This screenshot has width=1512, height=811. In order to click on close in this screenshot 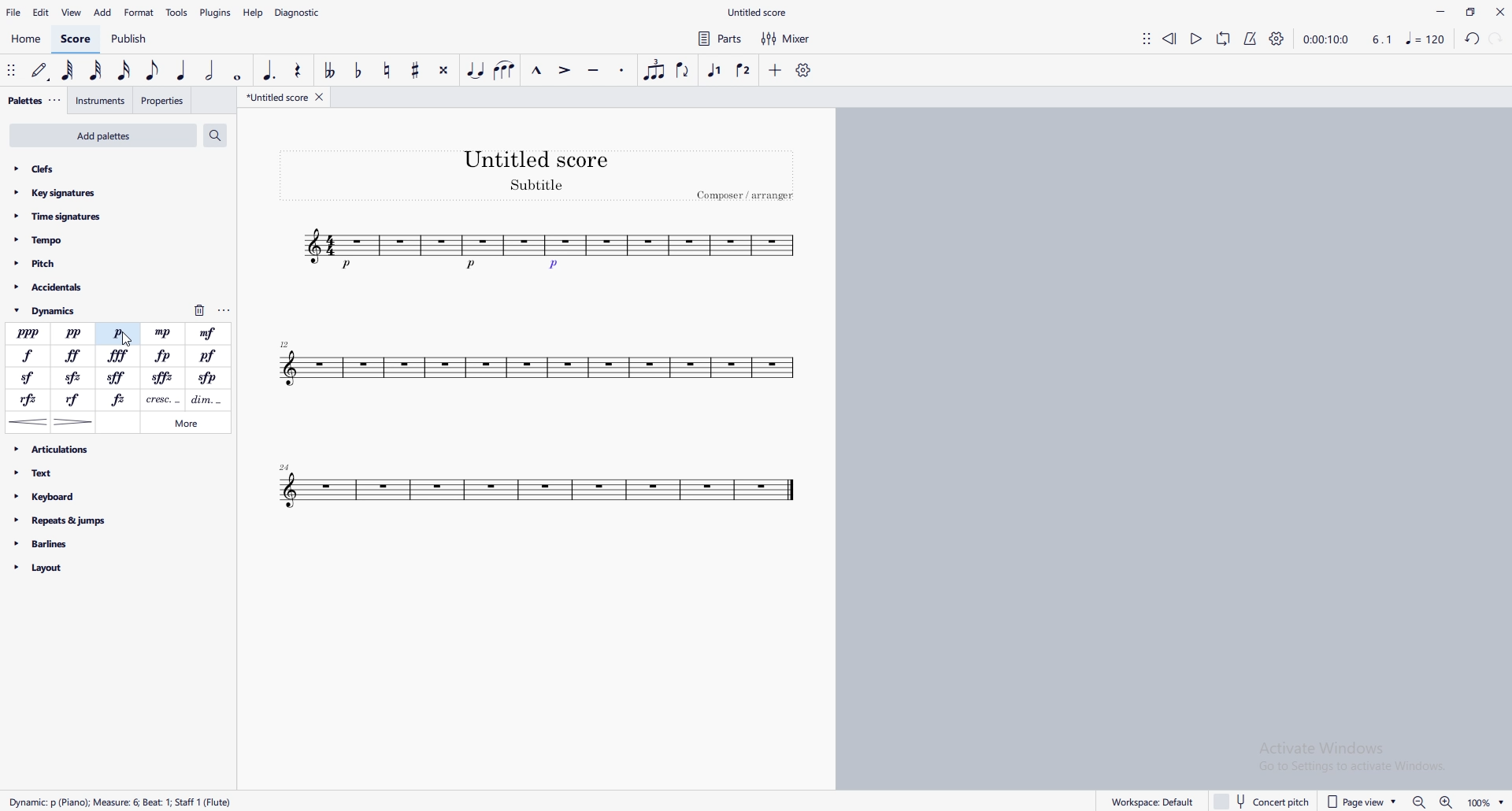, I will do `click(323, 98)`.